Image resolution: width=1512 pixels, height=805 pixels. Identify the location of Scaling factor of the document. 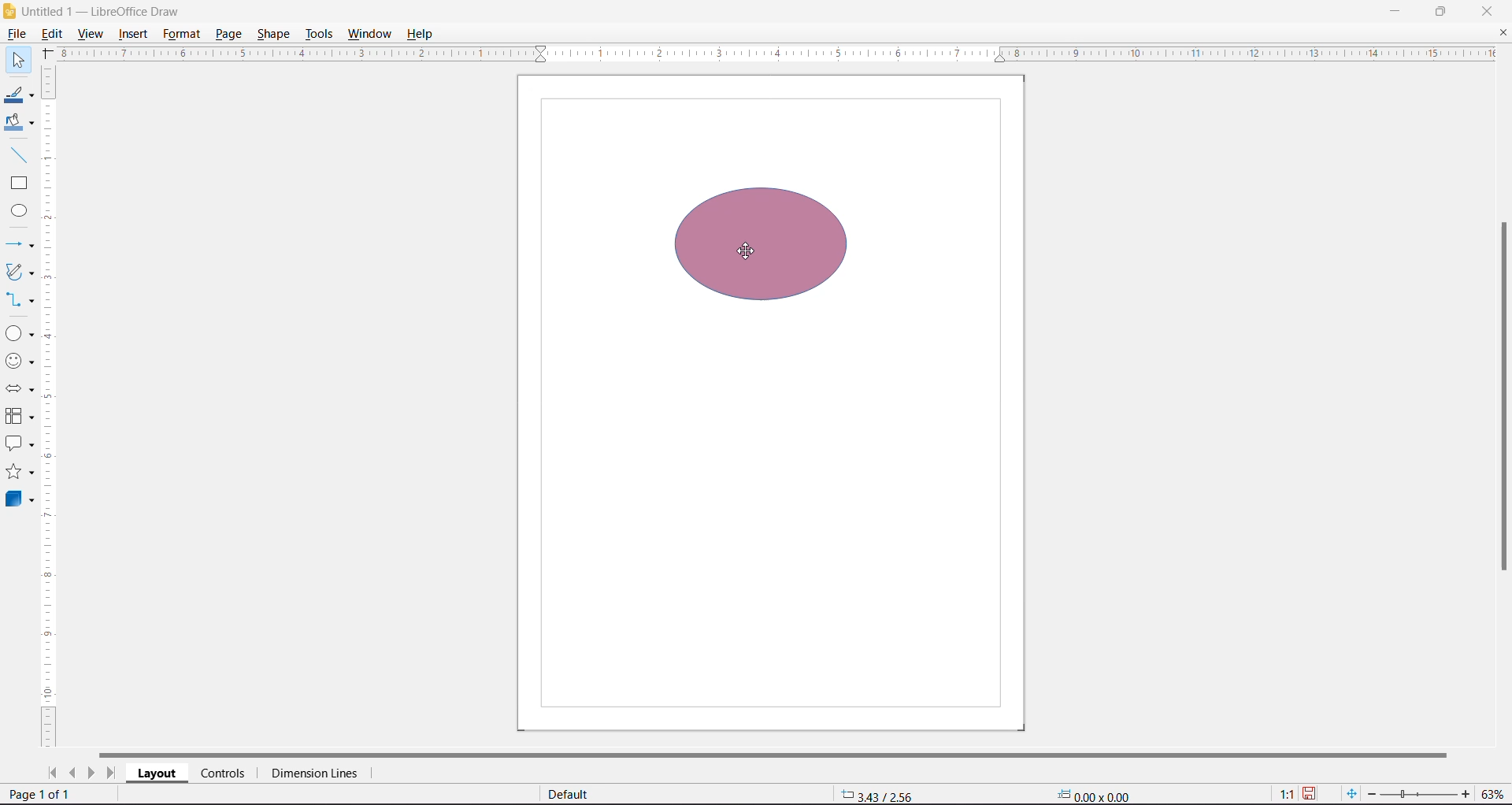
(1287, 795).